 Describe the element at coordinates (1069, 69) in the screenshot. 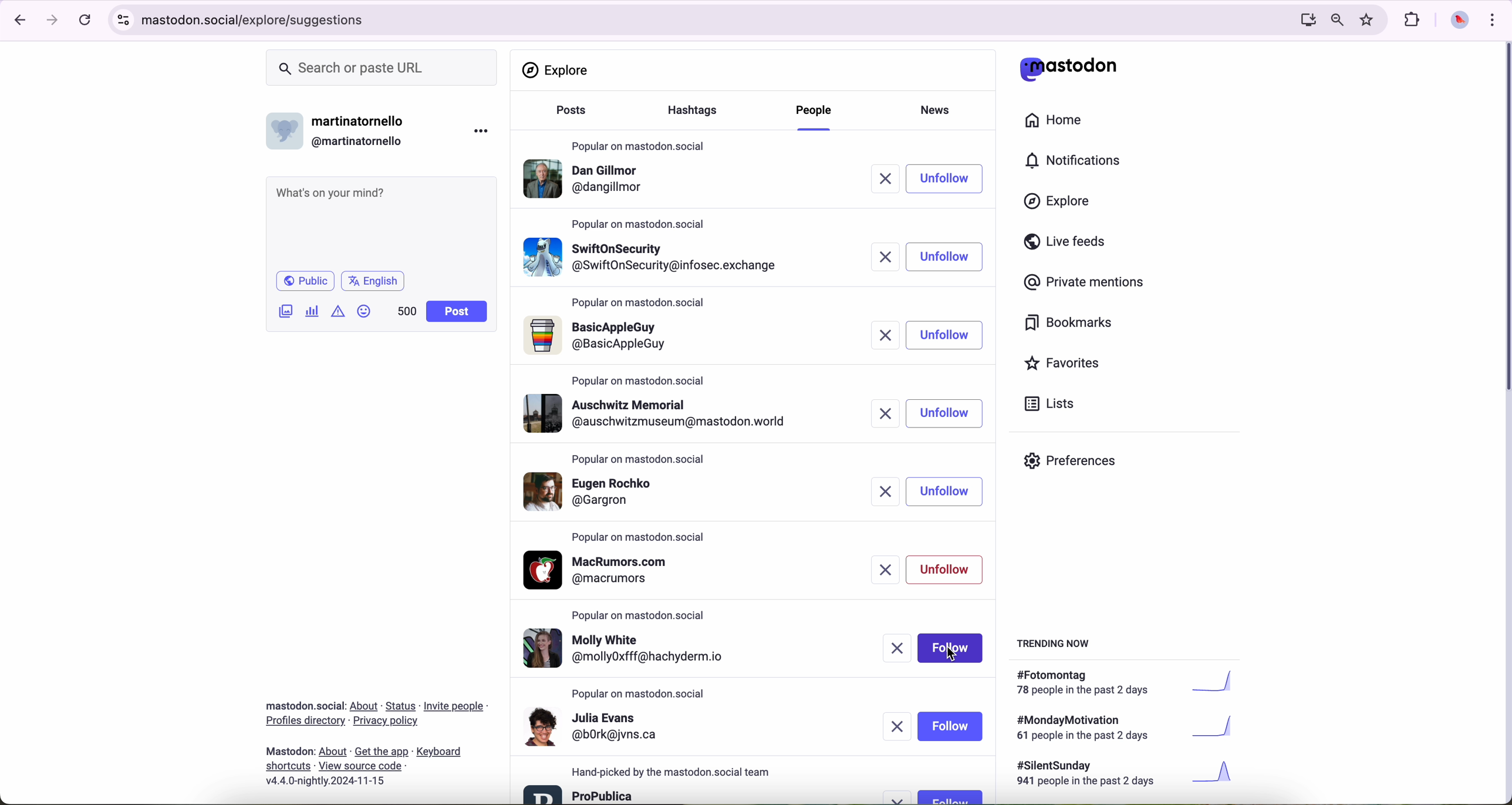

I see `matodon logo` at that location.